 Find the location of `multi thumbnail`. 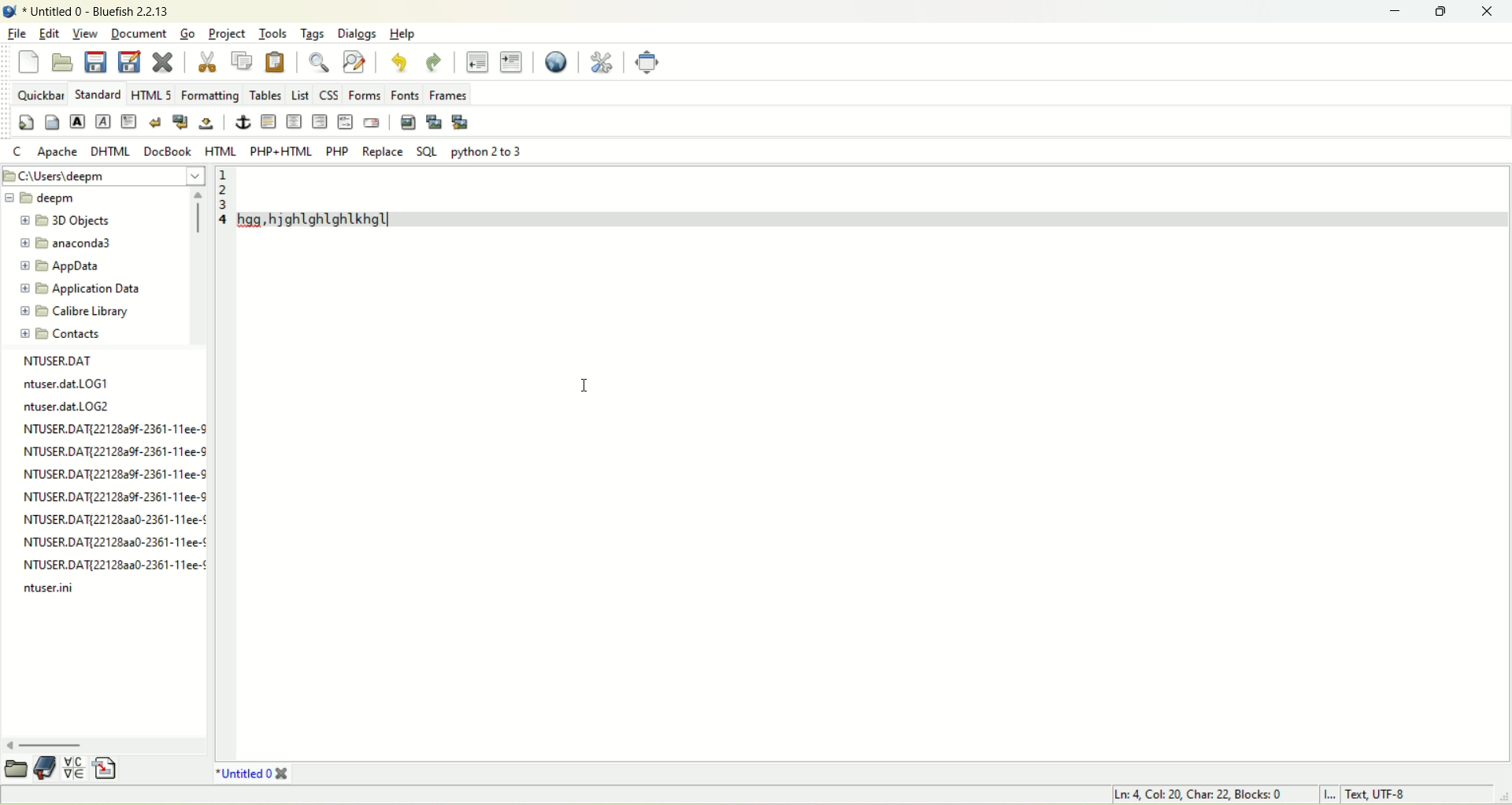

multi thumbnail is located at coordinates (461, 122).